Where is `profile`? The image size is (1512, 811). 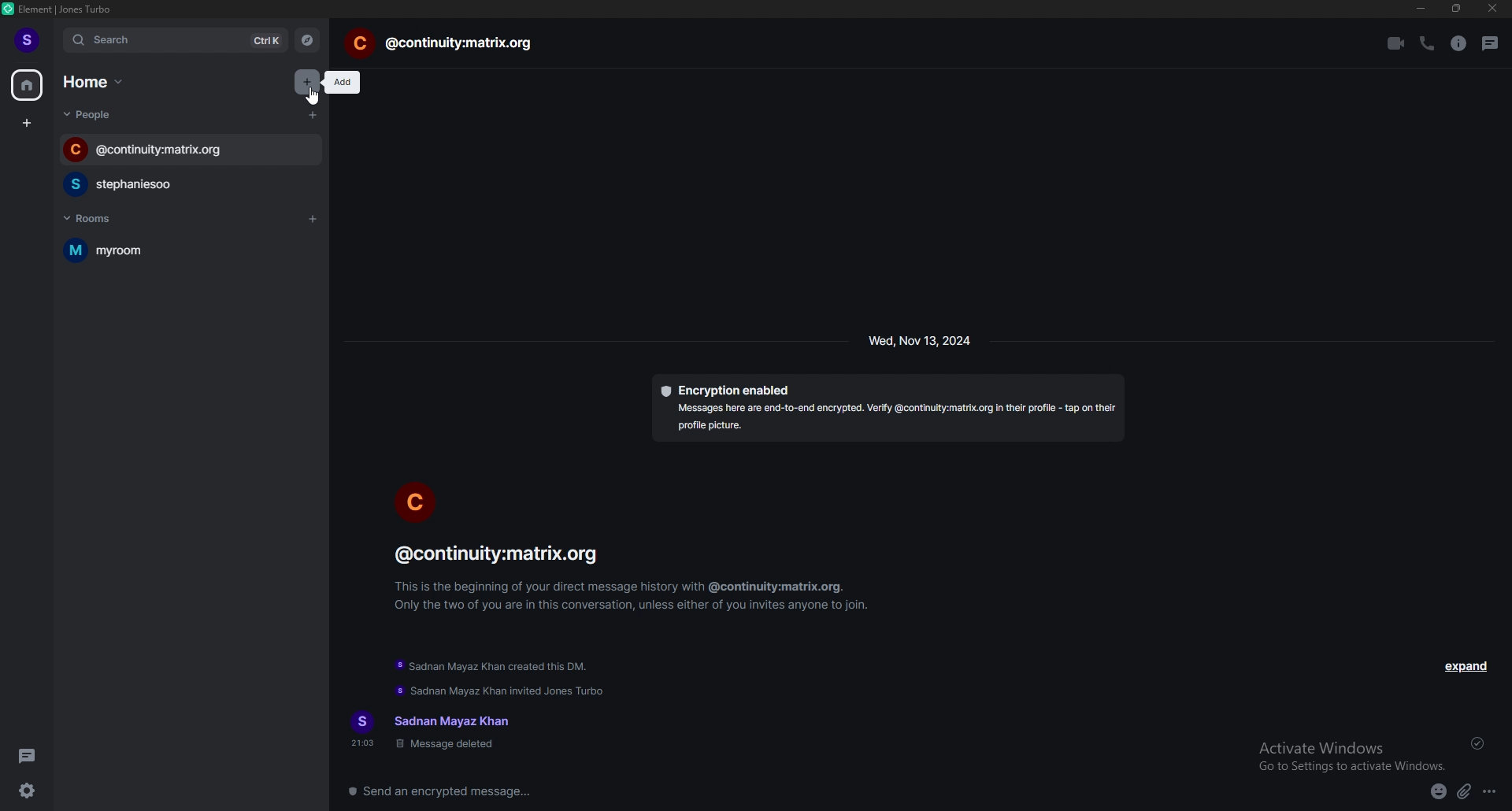
profile is located at coordinates (28, 40).